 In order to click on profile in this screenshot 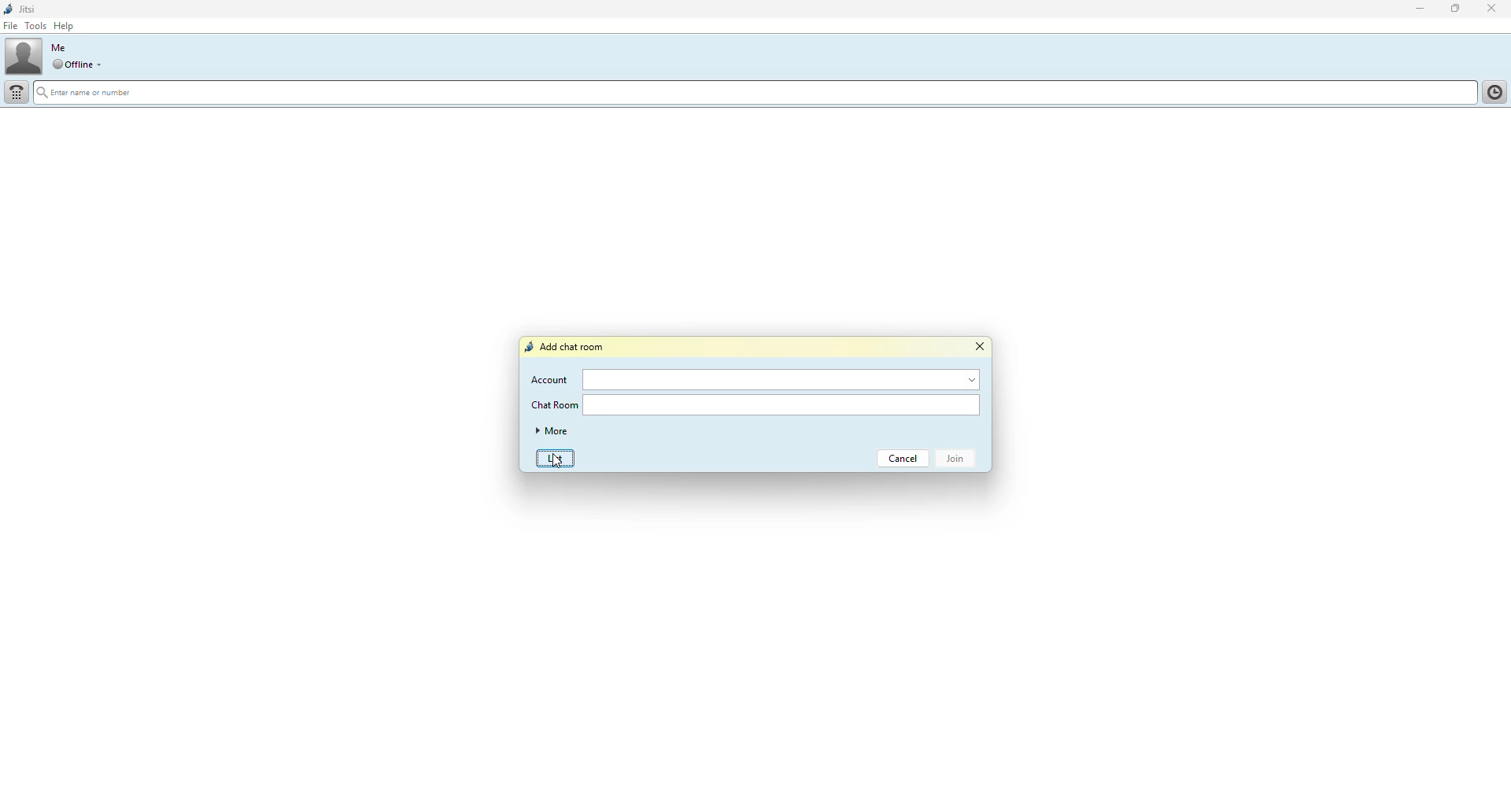, I will do `click(24, 55)`.